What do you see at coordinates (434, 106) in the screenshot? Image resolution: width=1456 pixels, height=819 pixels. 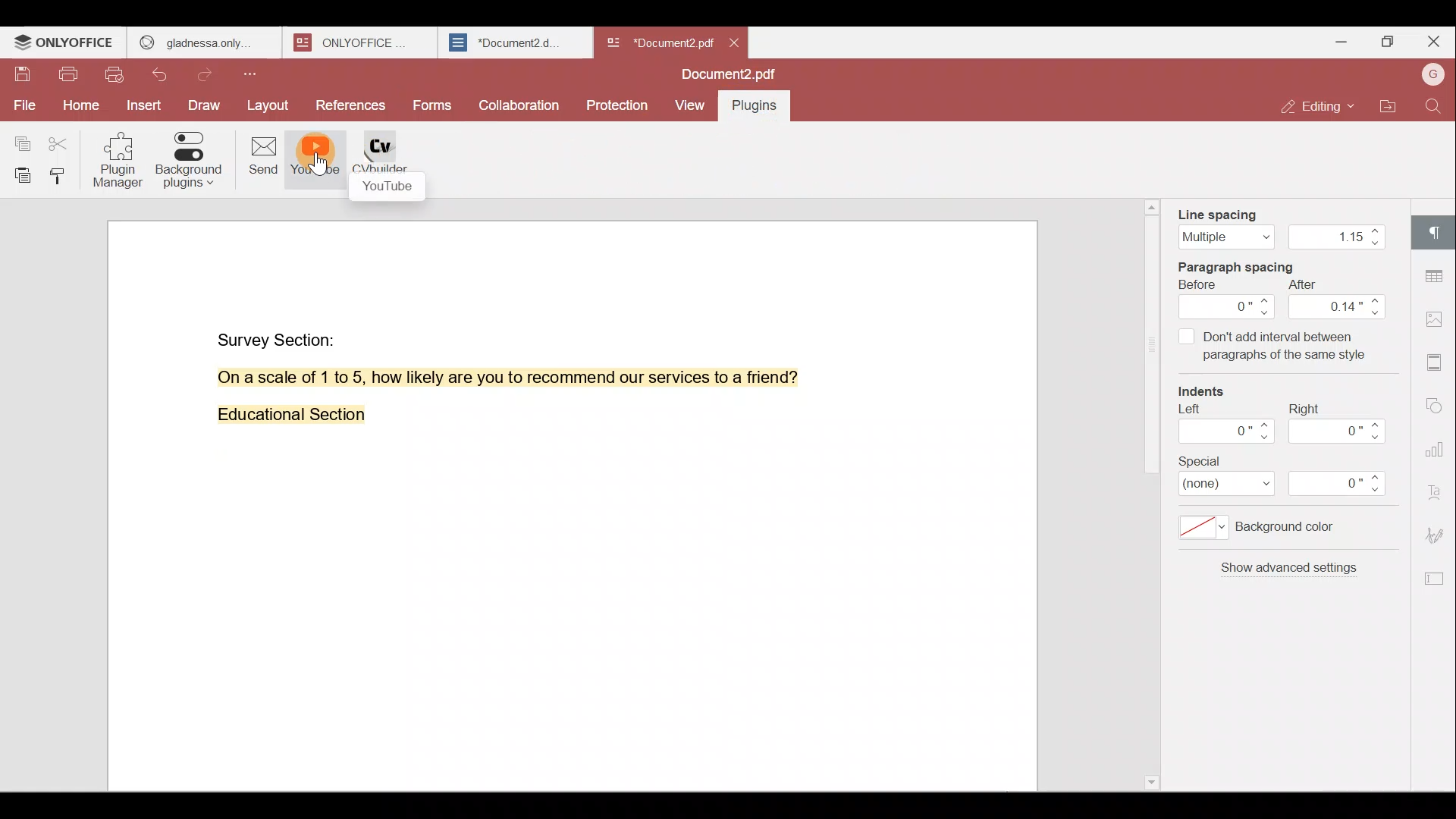 I see `Forms` at bounding box center [434, 106].